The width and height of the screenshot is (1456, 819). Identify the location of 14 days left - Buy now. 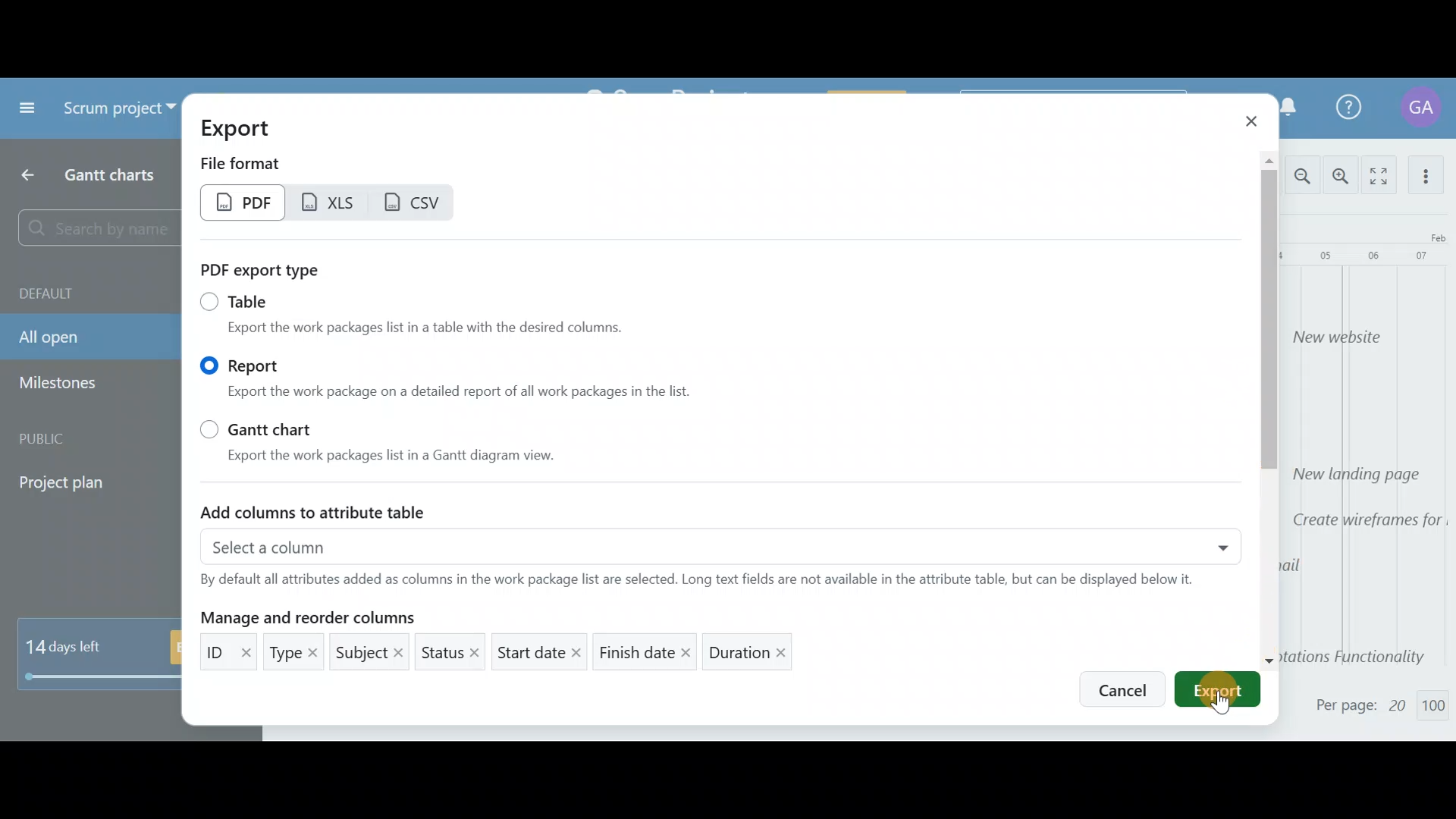
(101, 654).